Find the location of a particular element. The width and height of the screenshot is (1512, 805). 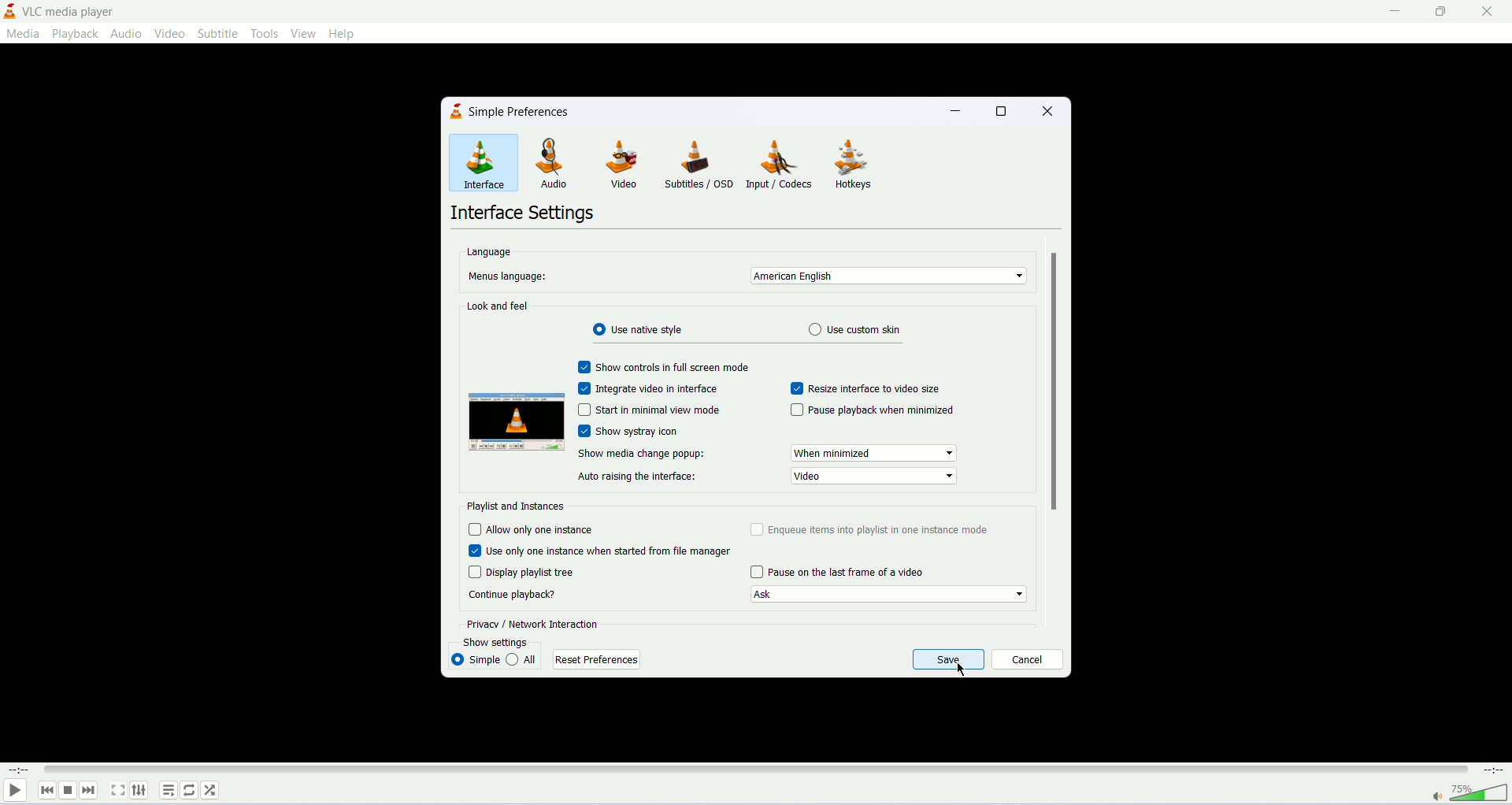

view is located at coordinates (303, 33).